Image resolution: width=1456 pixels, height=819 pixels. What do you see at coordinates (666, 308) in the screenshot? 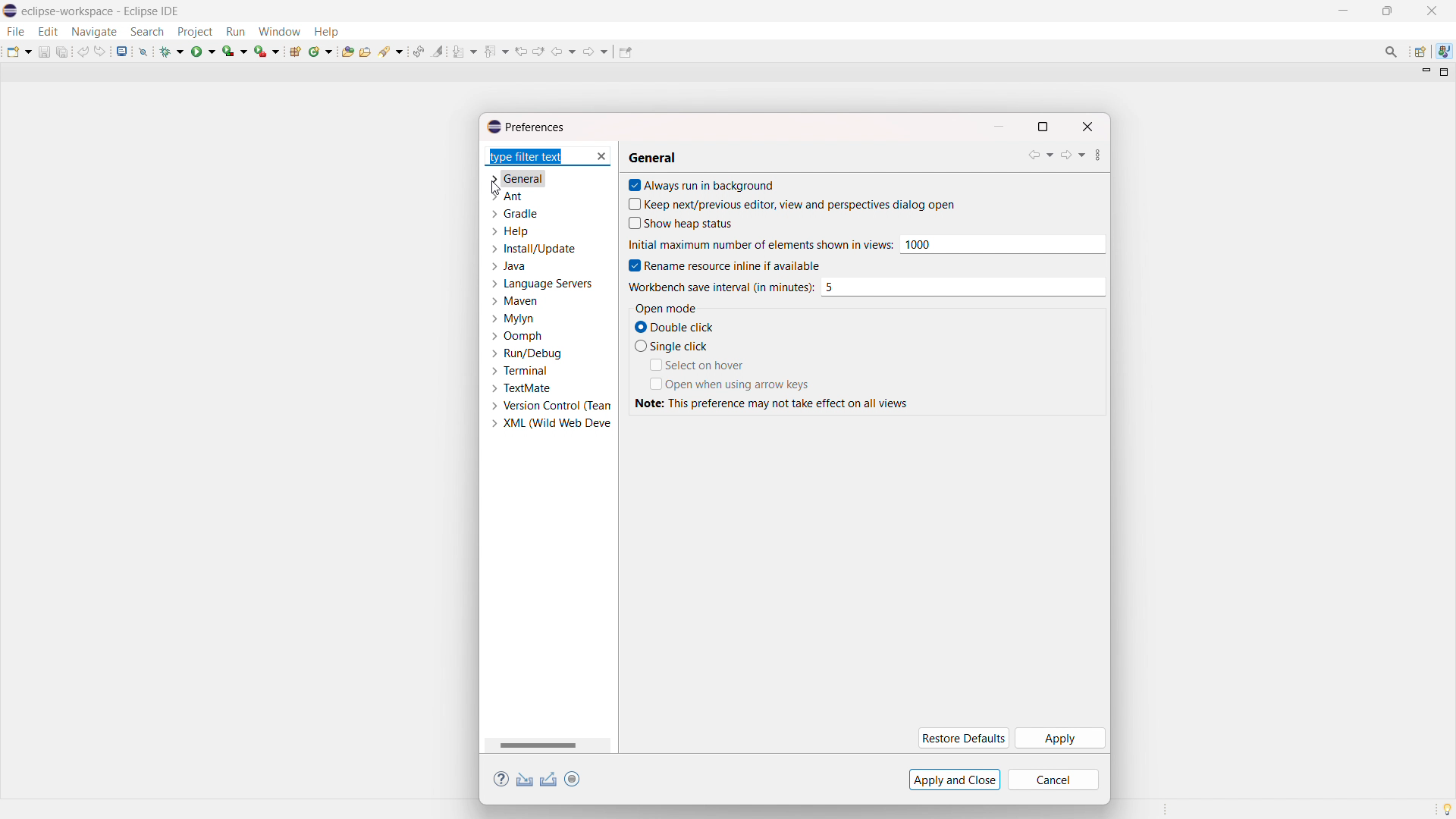
I see `open mode` at bounding box center [666, 308].